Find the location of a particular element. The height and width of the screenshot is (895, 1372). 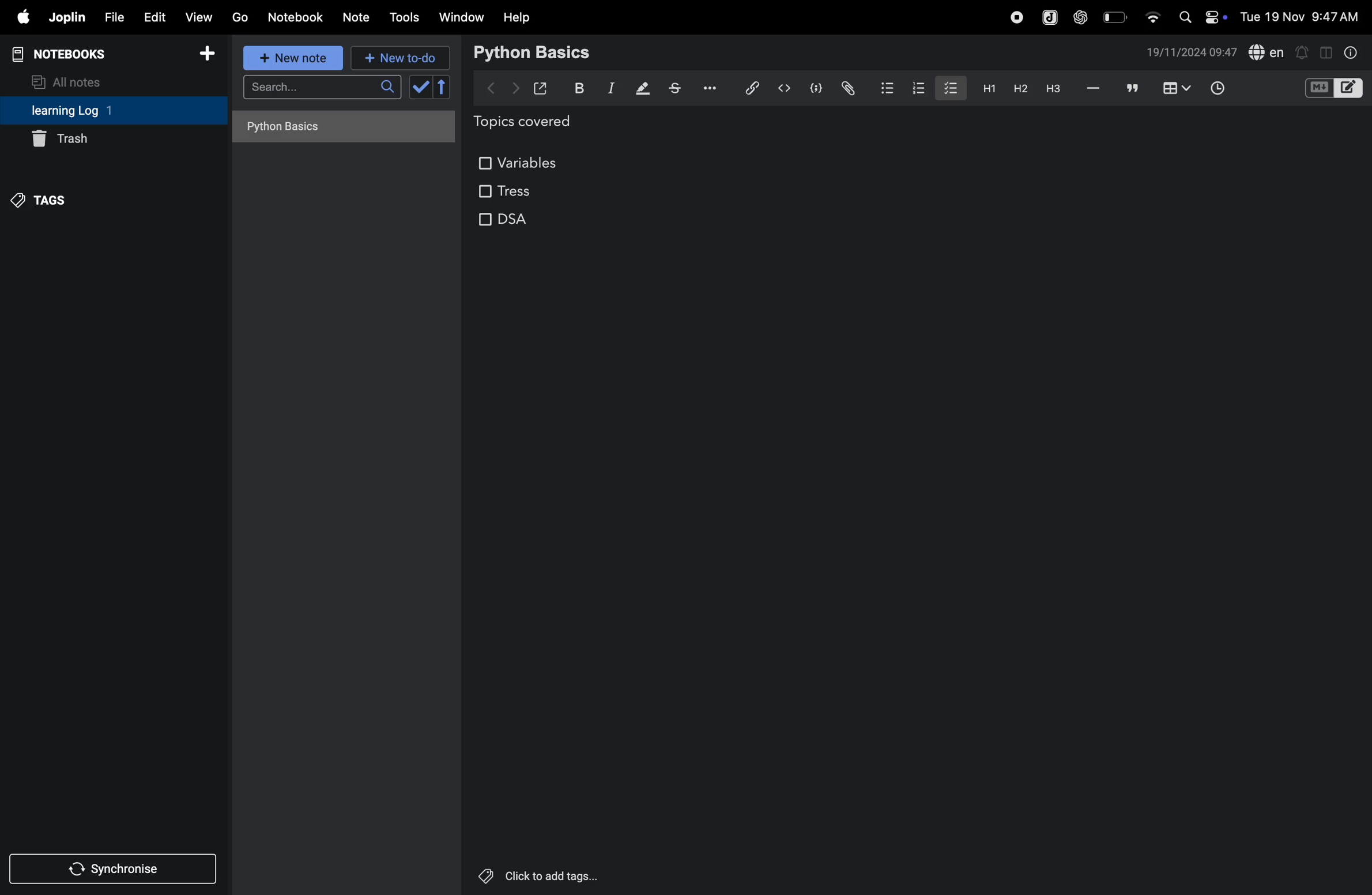

wifi is located at coordinates (1152, 13).